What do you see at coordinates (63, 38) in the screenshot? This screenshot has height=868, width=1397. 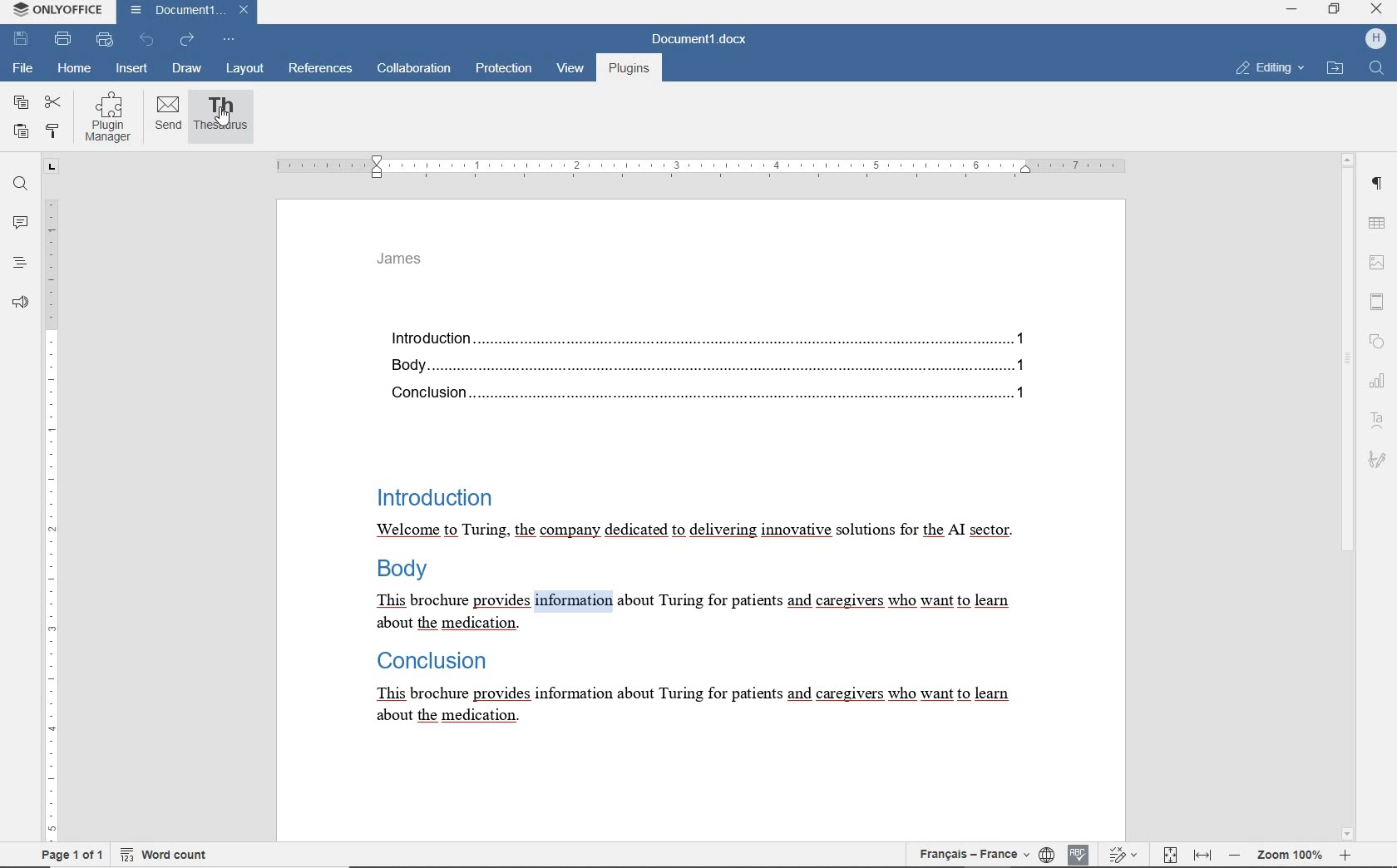 I see `PRINT` at bounding box center [63, 38].